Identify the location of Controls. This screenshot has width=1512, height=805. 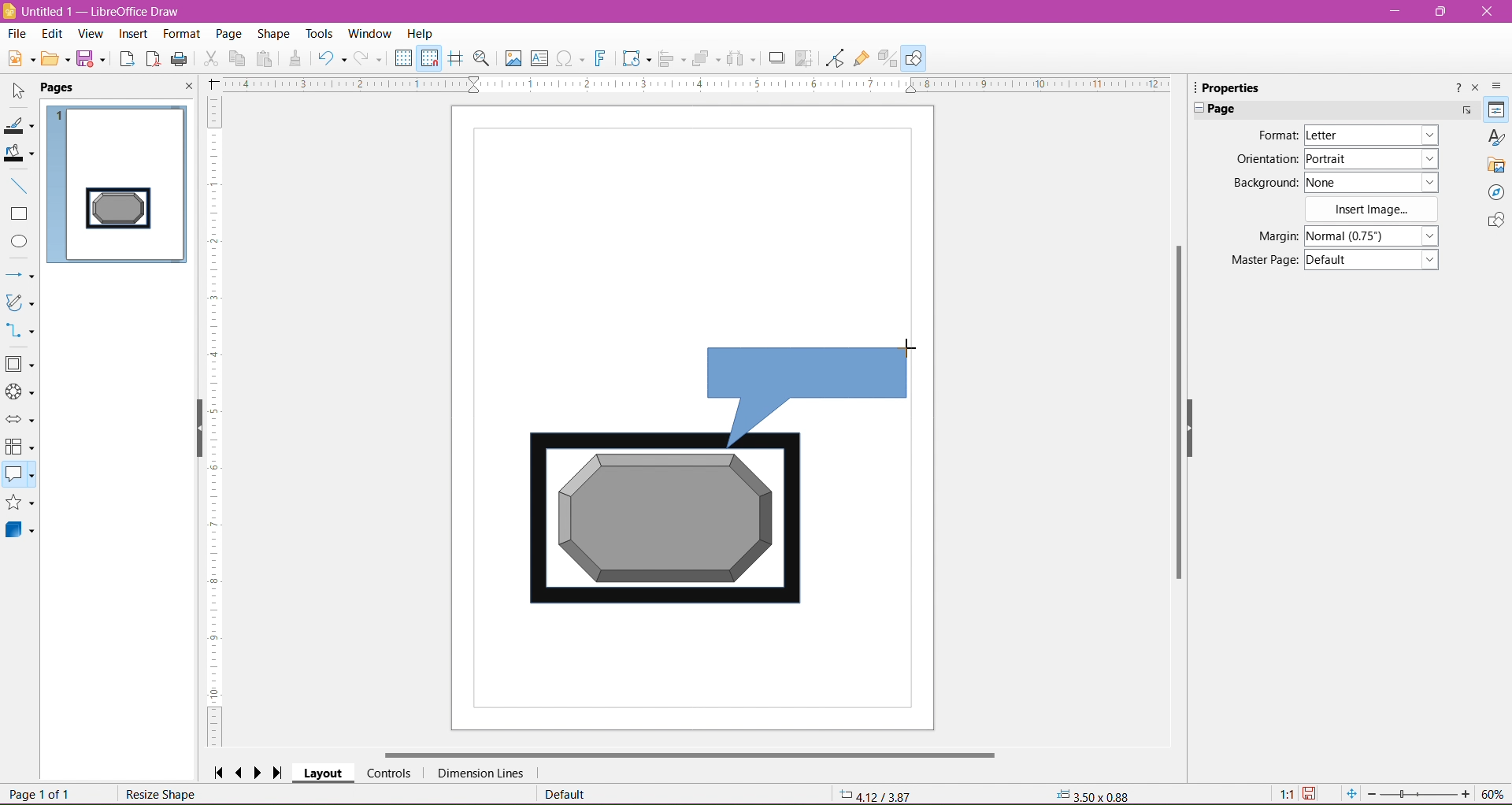
(389, 773).